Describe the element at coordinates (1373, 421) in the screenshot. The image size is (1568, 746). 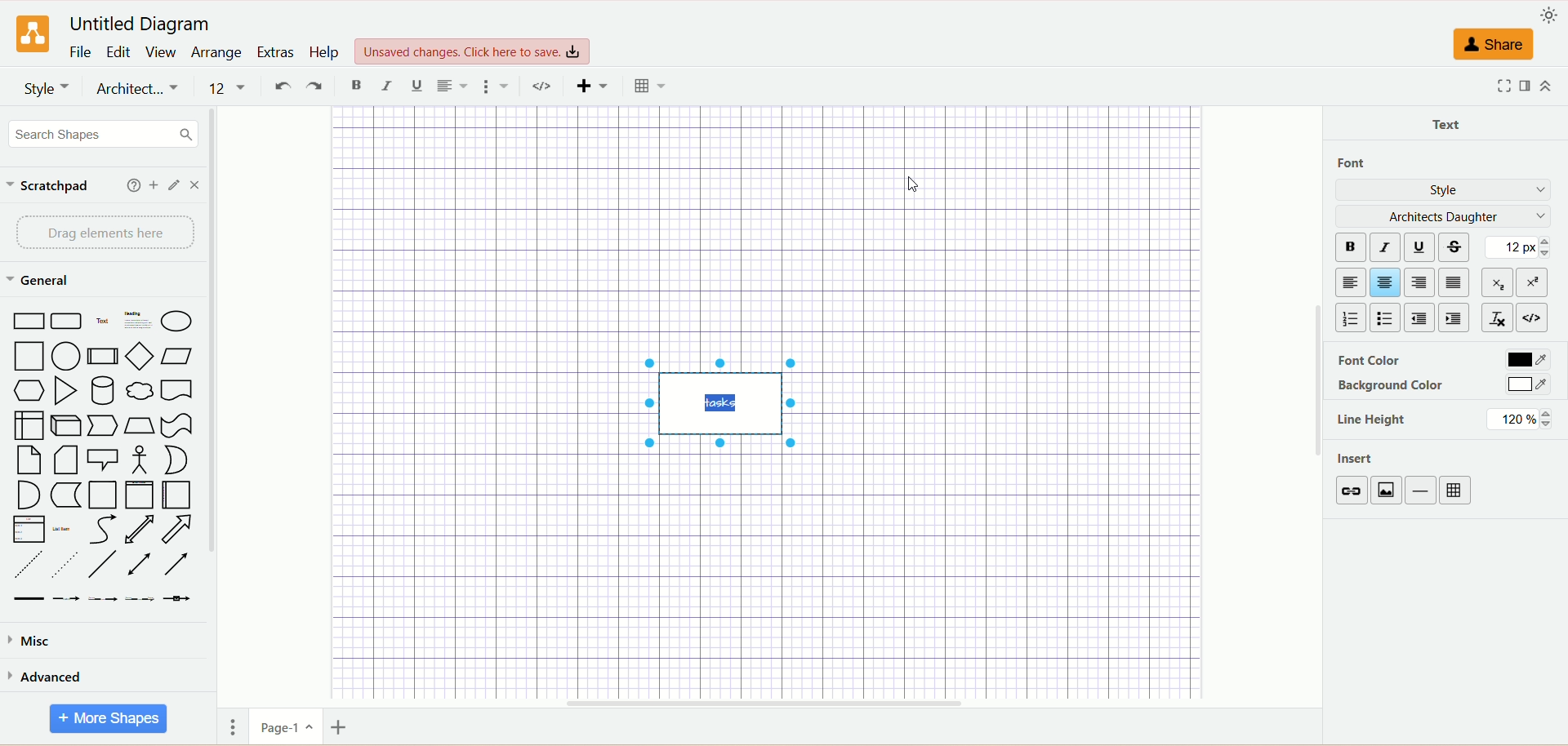
I see `line height` at that location.